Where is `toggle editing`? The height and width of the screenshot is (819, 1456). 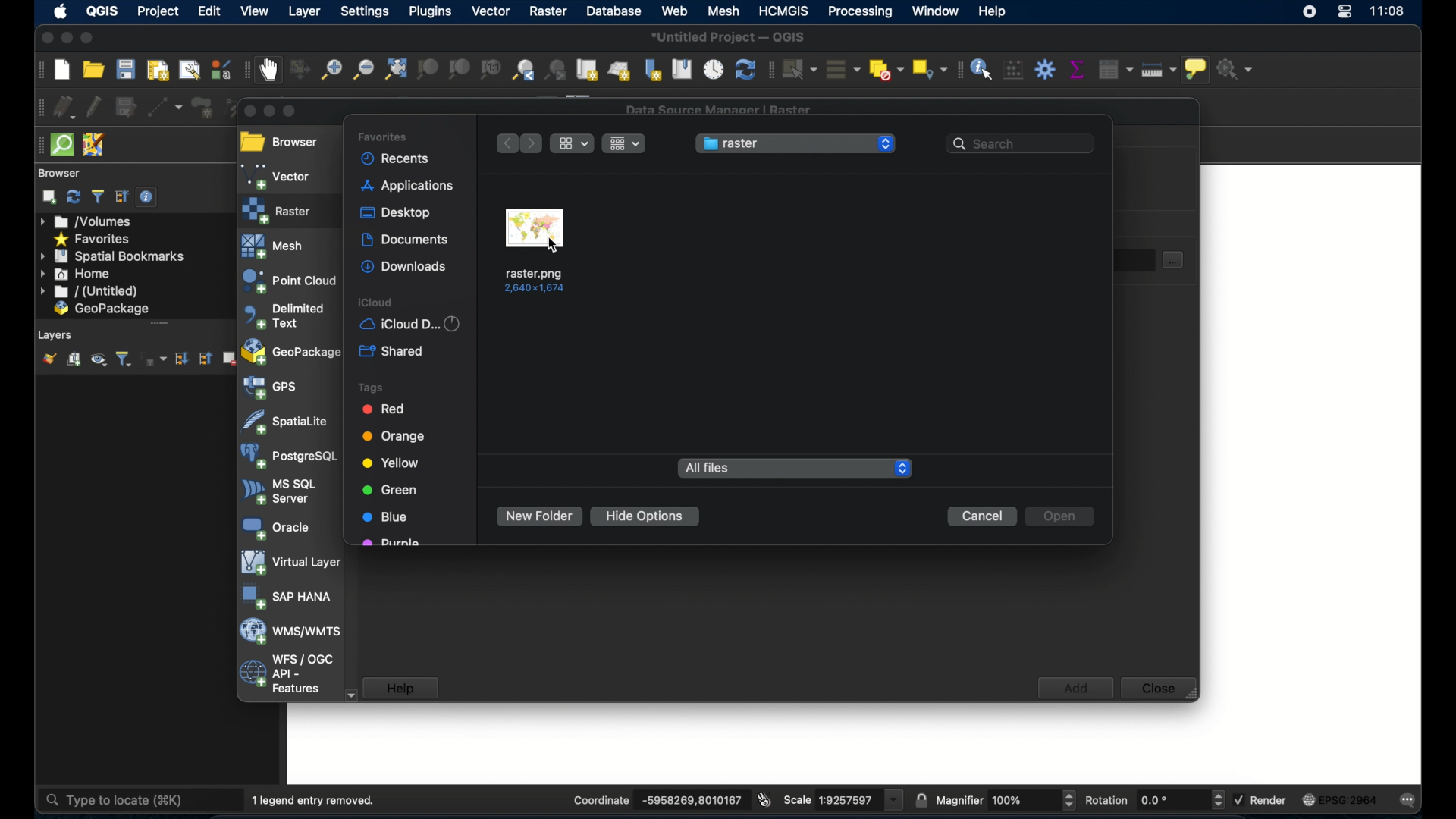
toggle editing is located at coordinates (95, 105).